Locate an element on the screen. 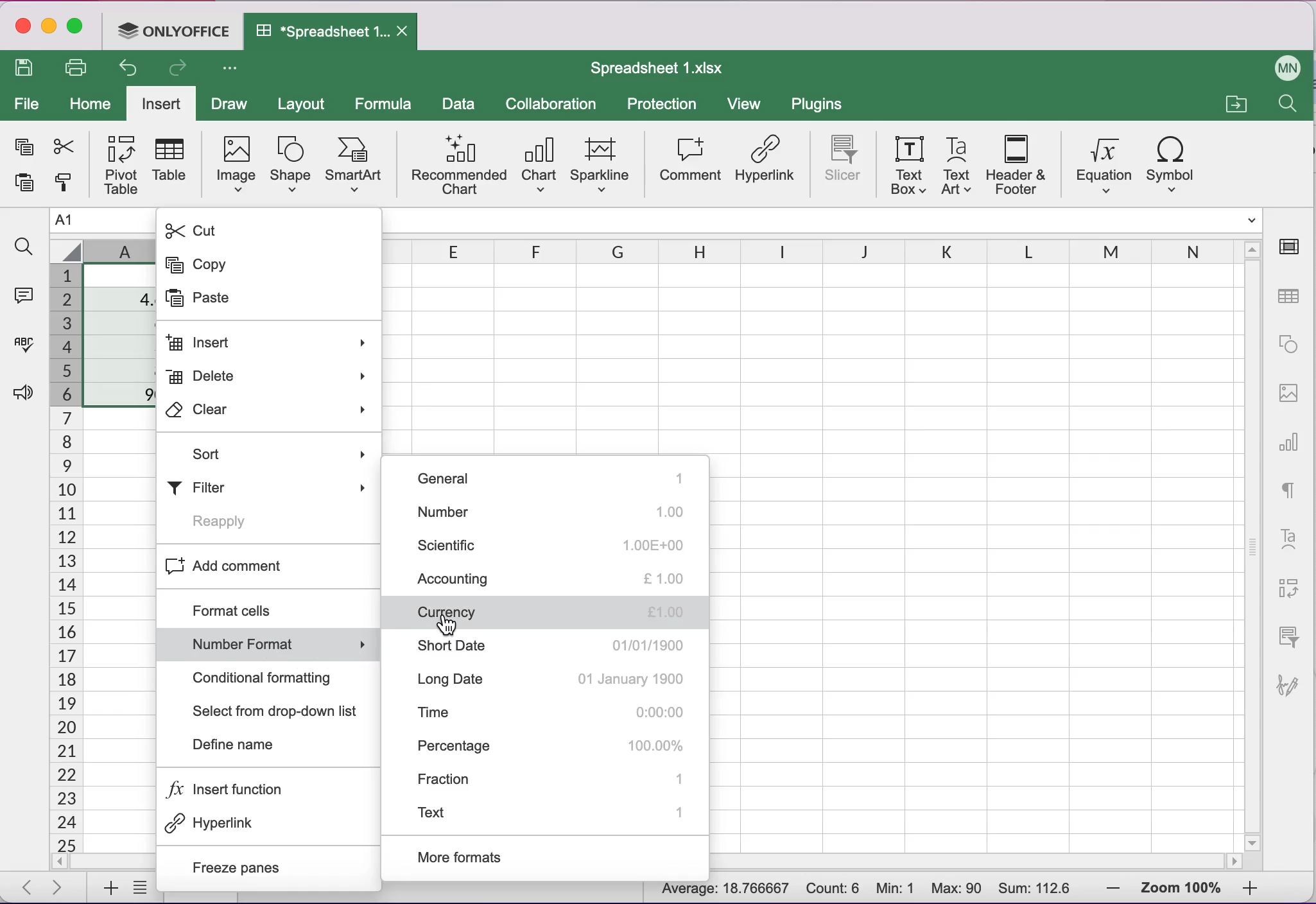 This screenshot has height=904, width=1316. Define name is located at coordinates (271, 742).